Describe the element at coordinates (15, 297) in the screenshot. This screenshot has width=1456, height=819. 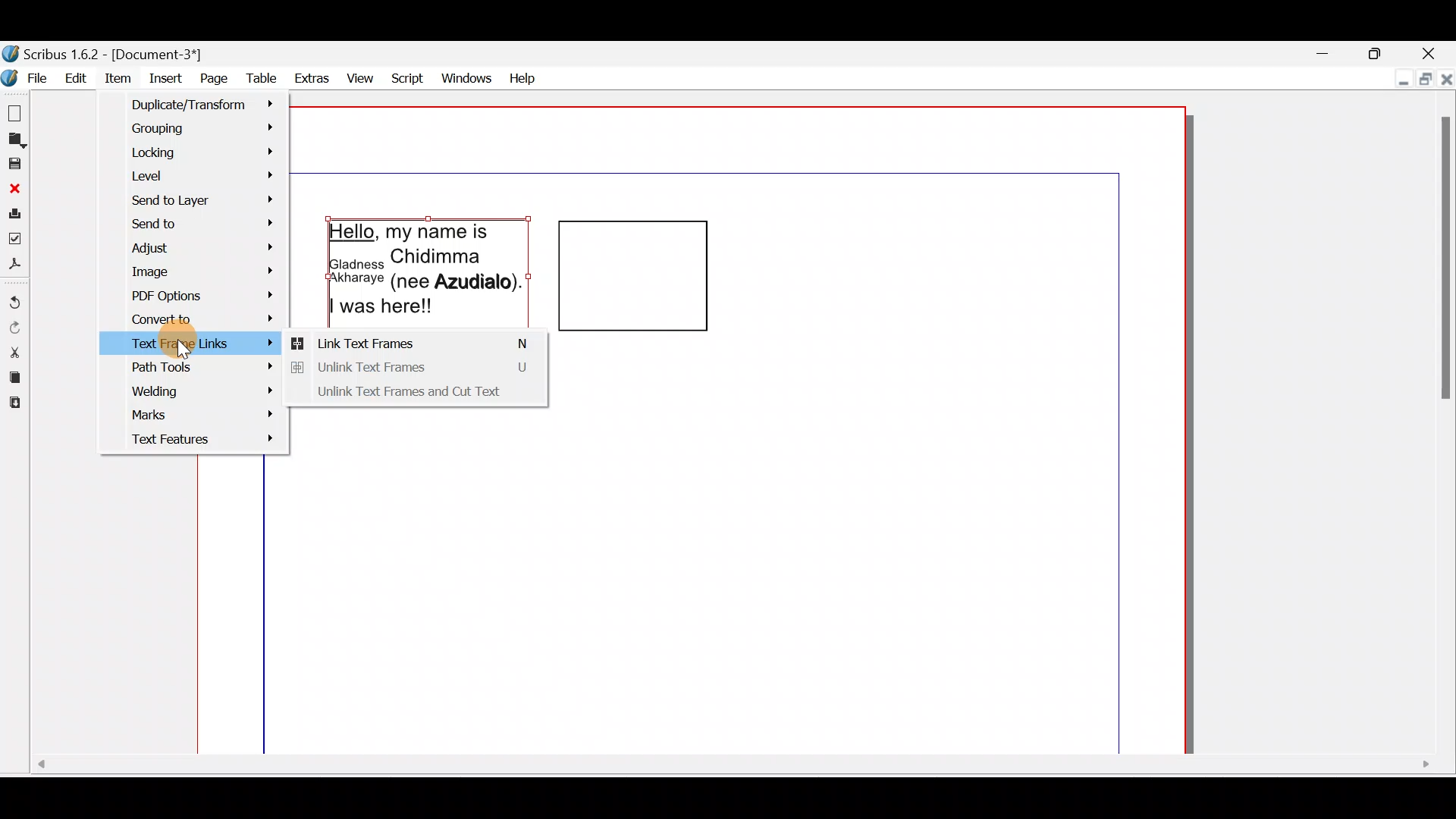
I see `Undo` at that location.